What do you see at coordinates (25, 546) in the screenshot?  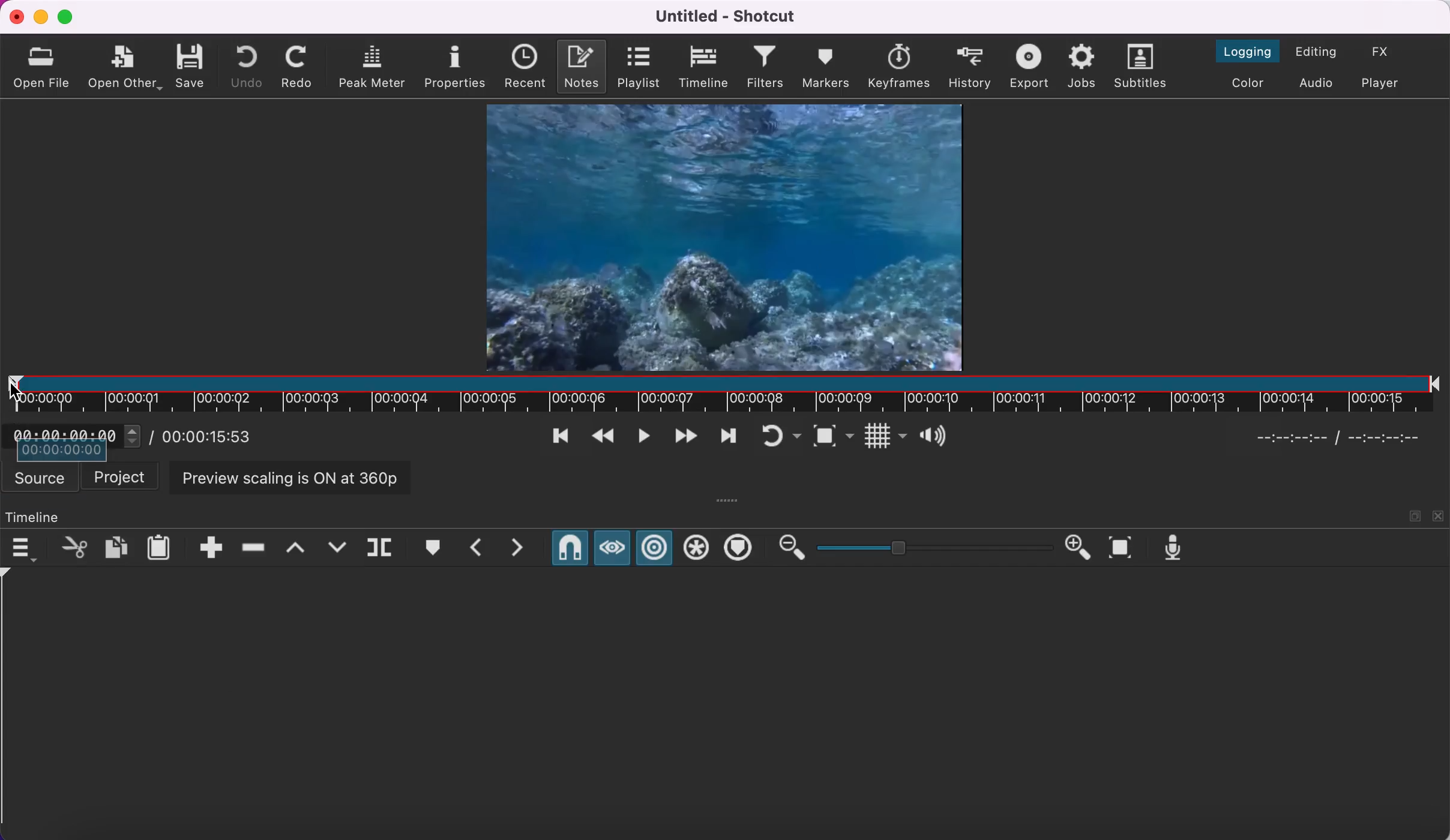 I see `timeline menu` at bounding box center [25, 546].